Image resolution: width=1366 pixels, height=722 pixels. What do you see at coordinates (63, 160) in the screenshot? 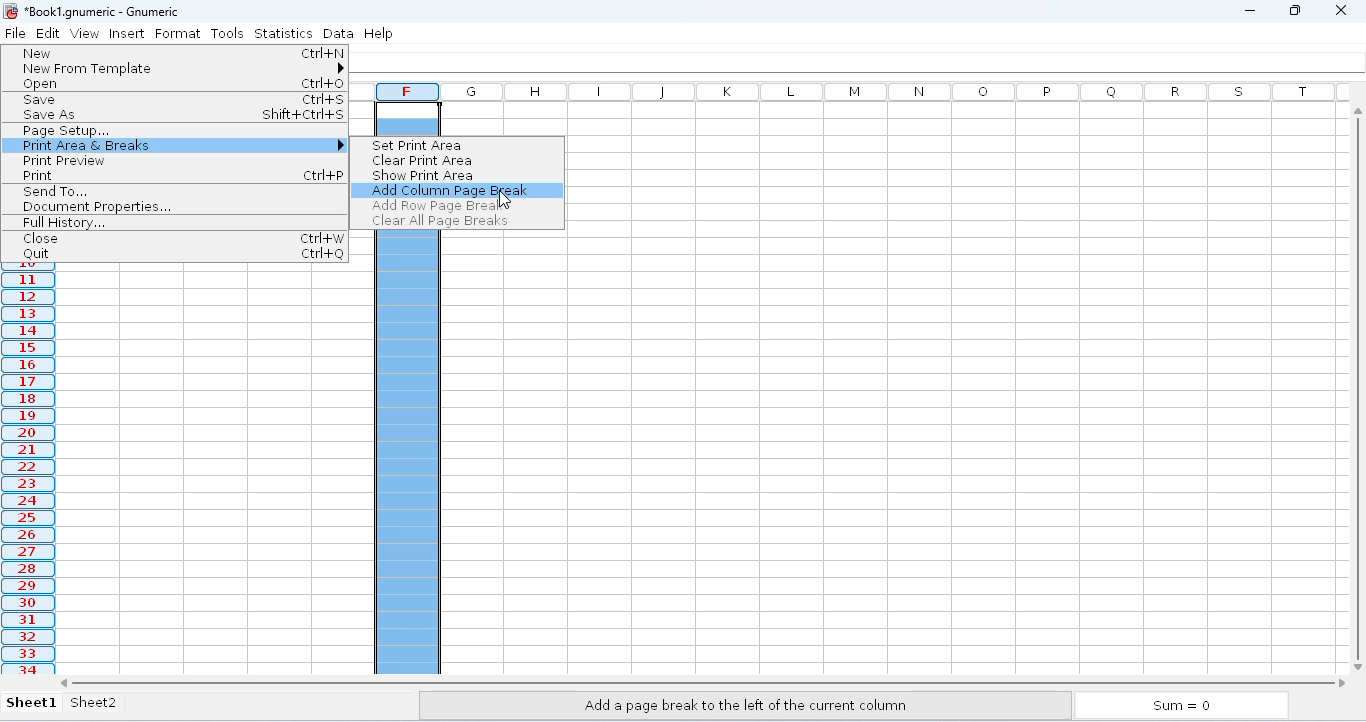
I see `print preview` at bounding box center [63, 160].